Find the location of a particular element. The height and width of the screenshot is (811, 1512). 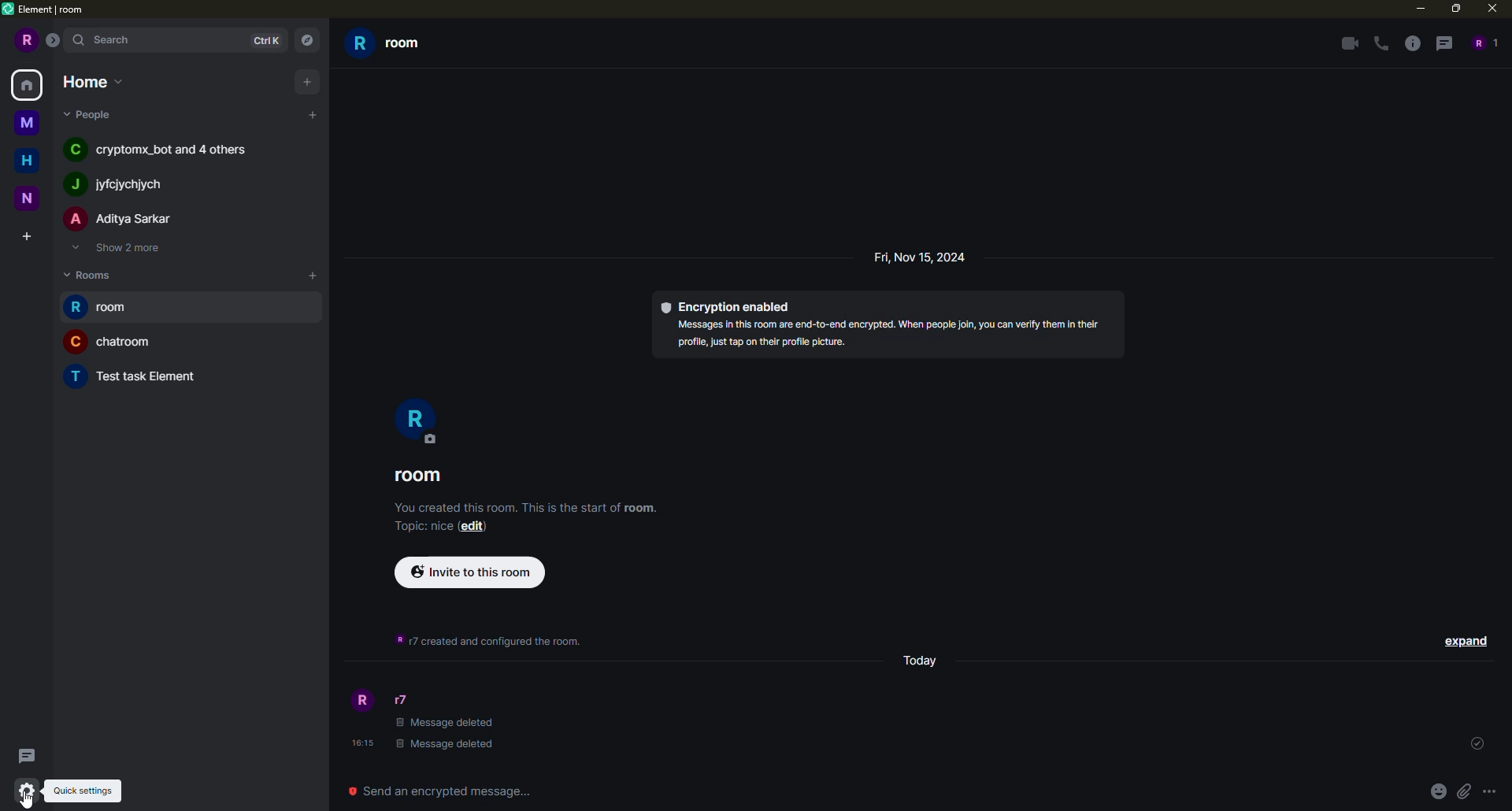

voice call is located at coordinates (1383, 44).